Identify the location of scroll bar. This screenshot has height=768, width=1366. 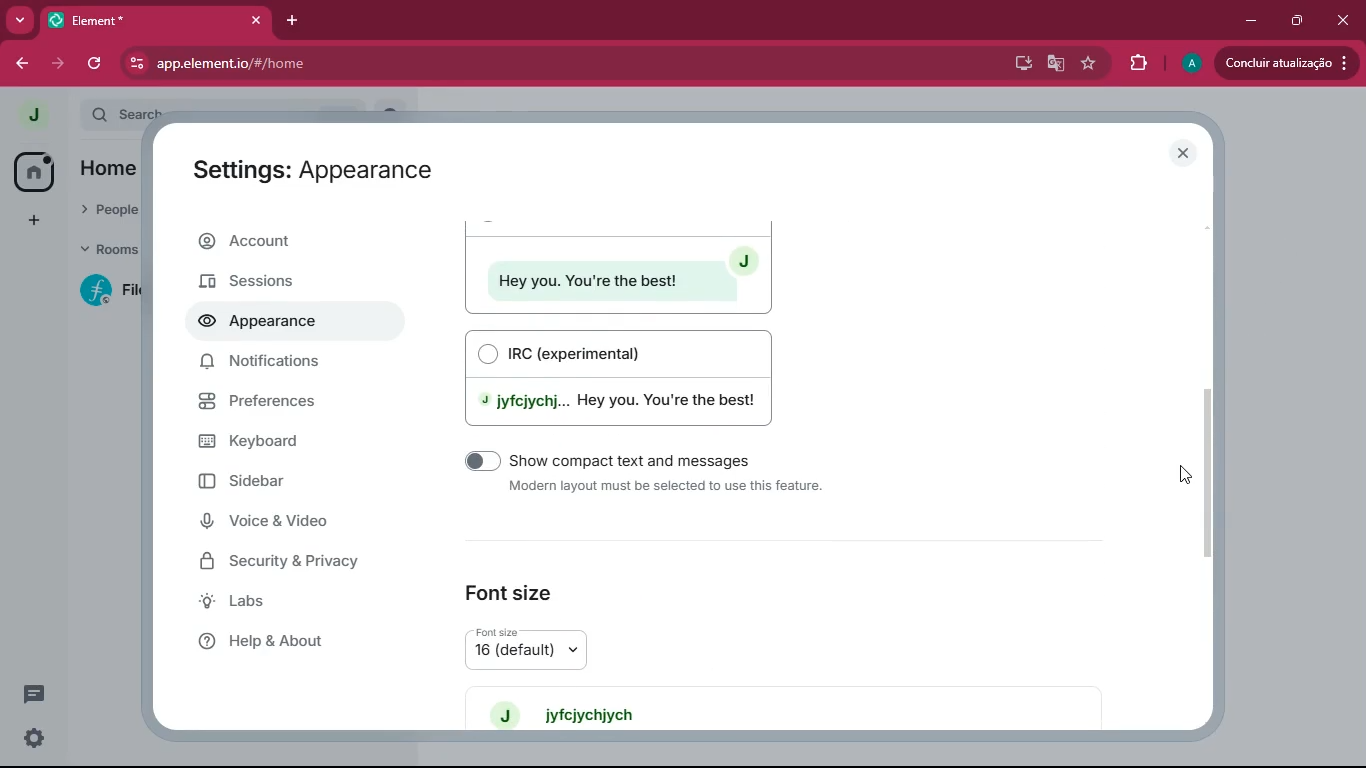
(1217, 471).